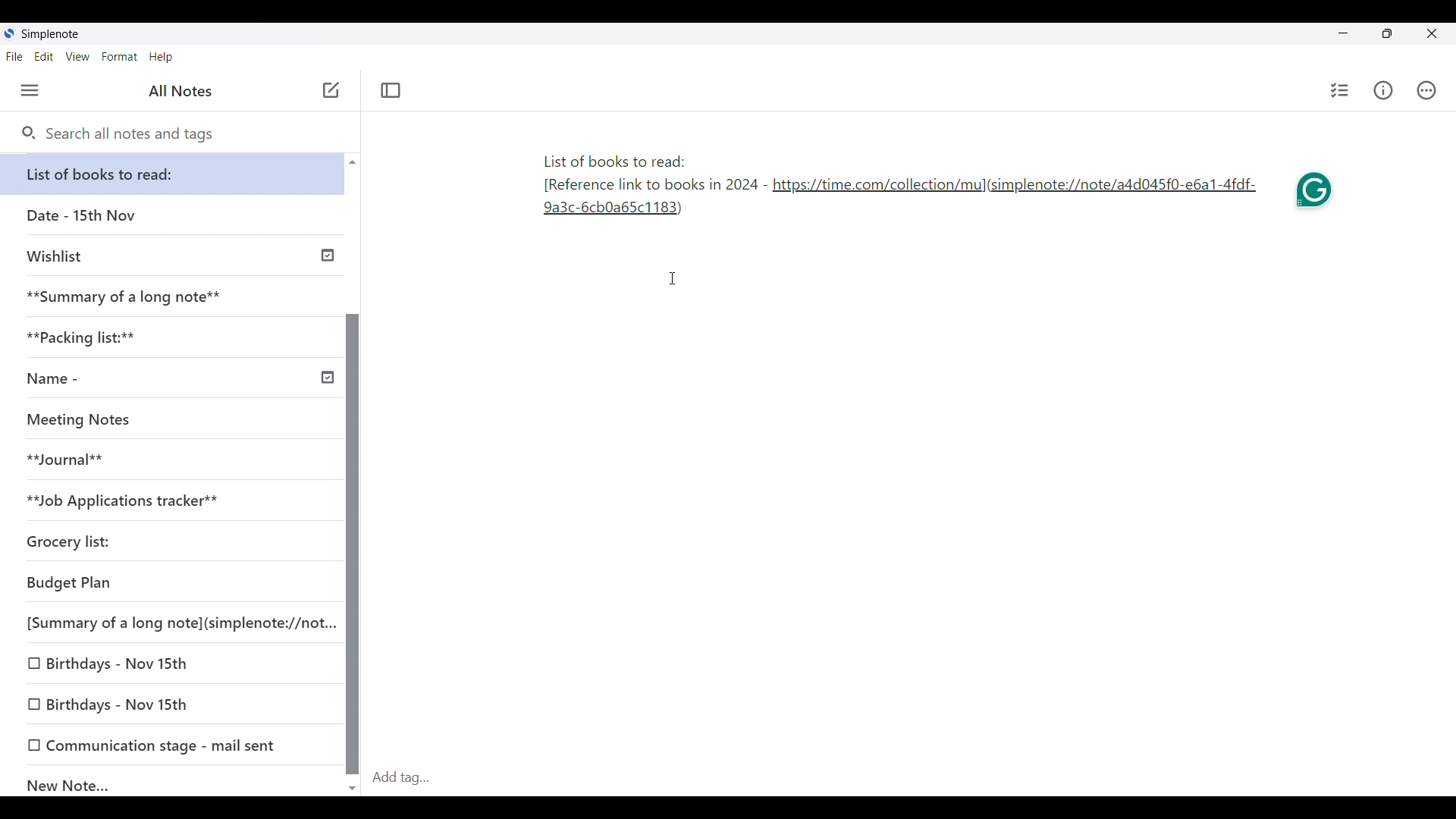  What do you see at coordinates (49, 34) in the screenshot?
I see `Simplenote` at bounding box center [49, 34].